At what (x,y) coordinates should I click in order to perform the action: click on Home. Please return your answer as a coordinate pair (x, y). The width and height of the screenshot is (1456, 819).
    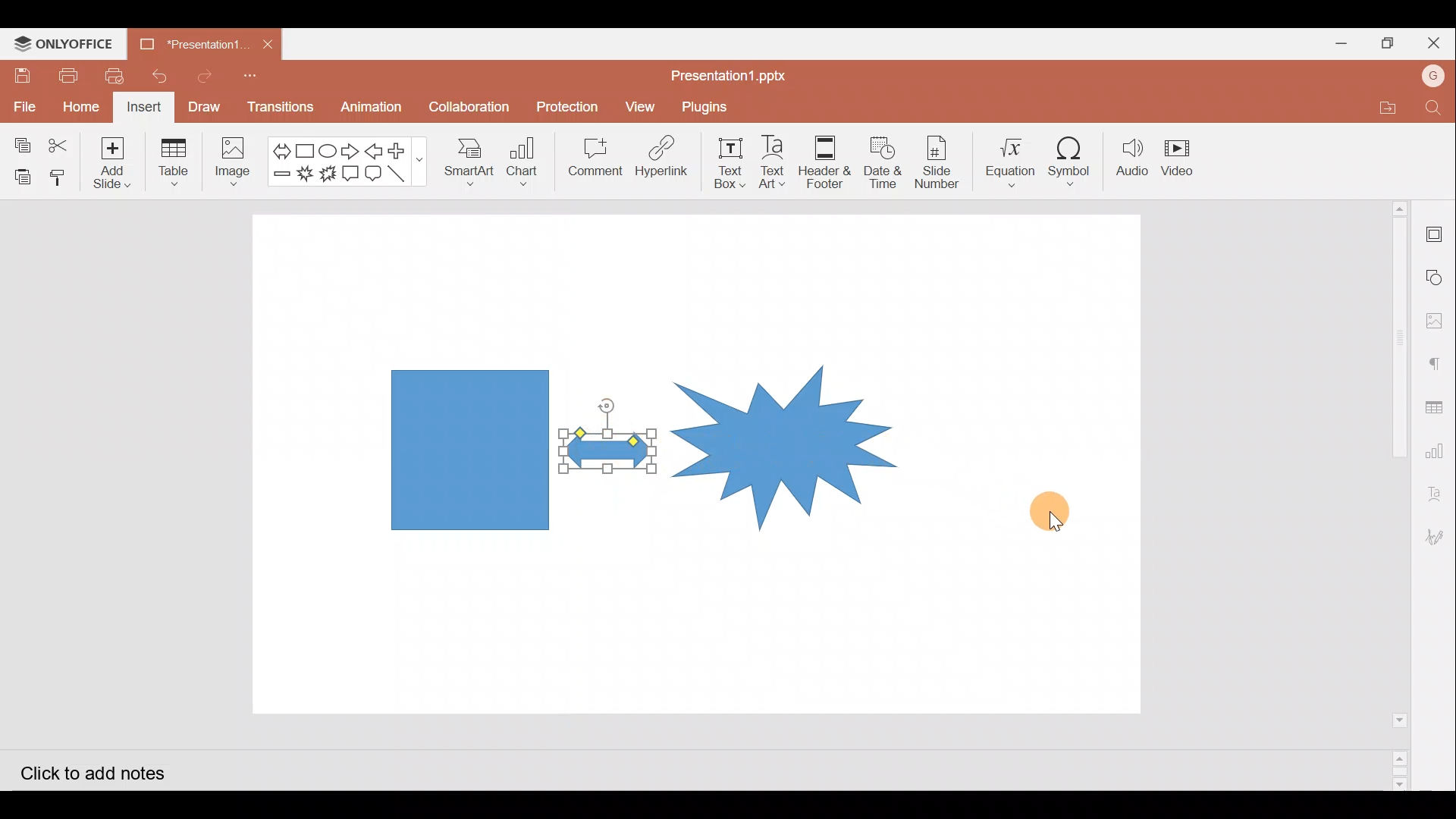
    Looking at the image, I should click on (80, 108).